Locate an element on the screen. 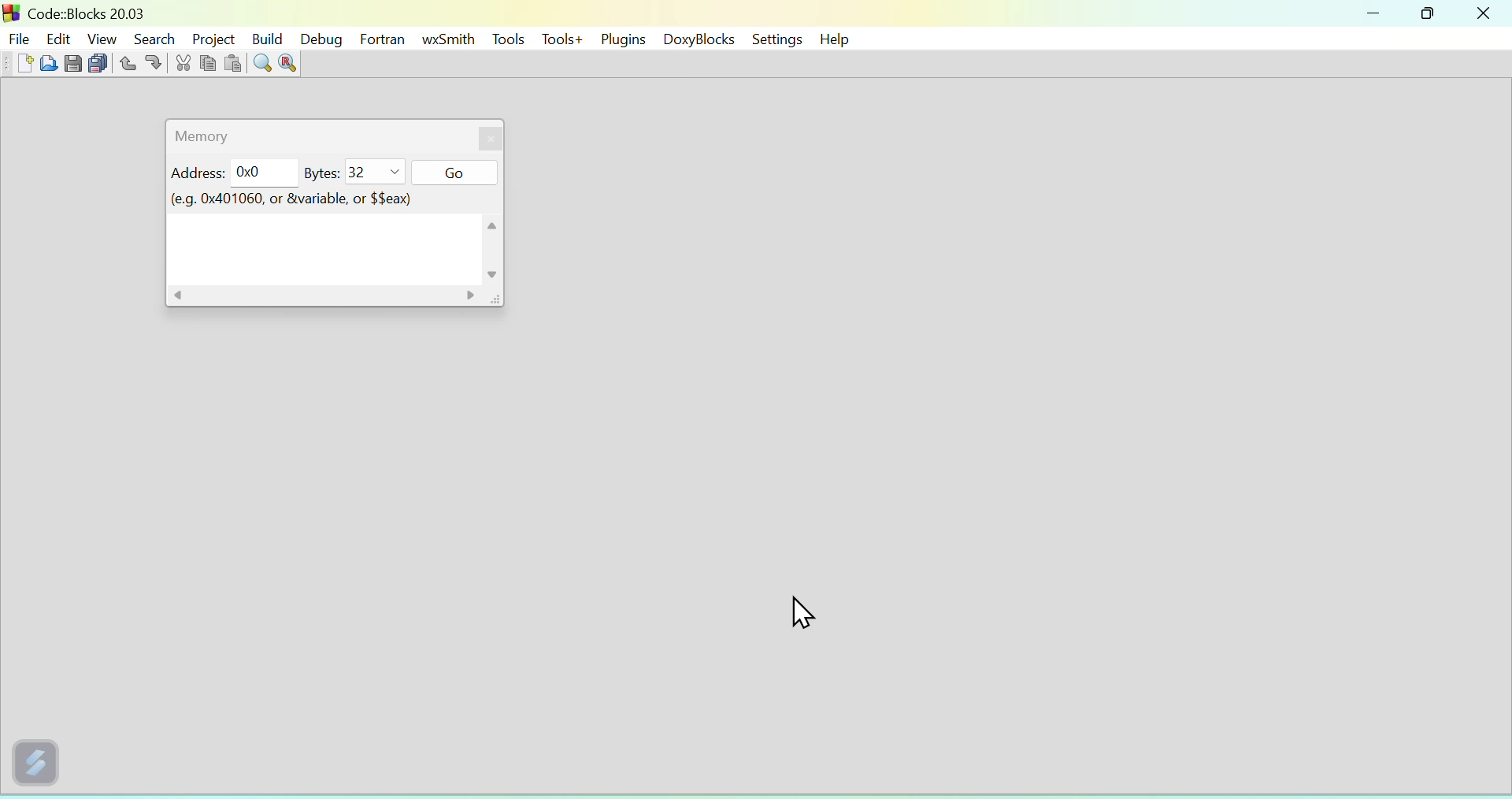  help is located at coordinates (837, 39).